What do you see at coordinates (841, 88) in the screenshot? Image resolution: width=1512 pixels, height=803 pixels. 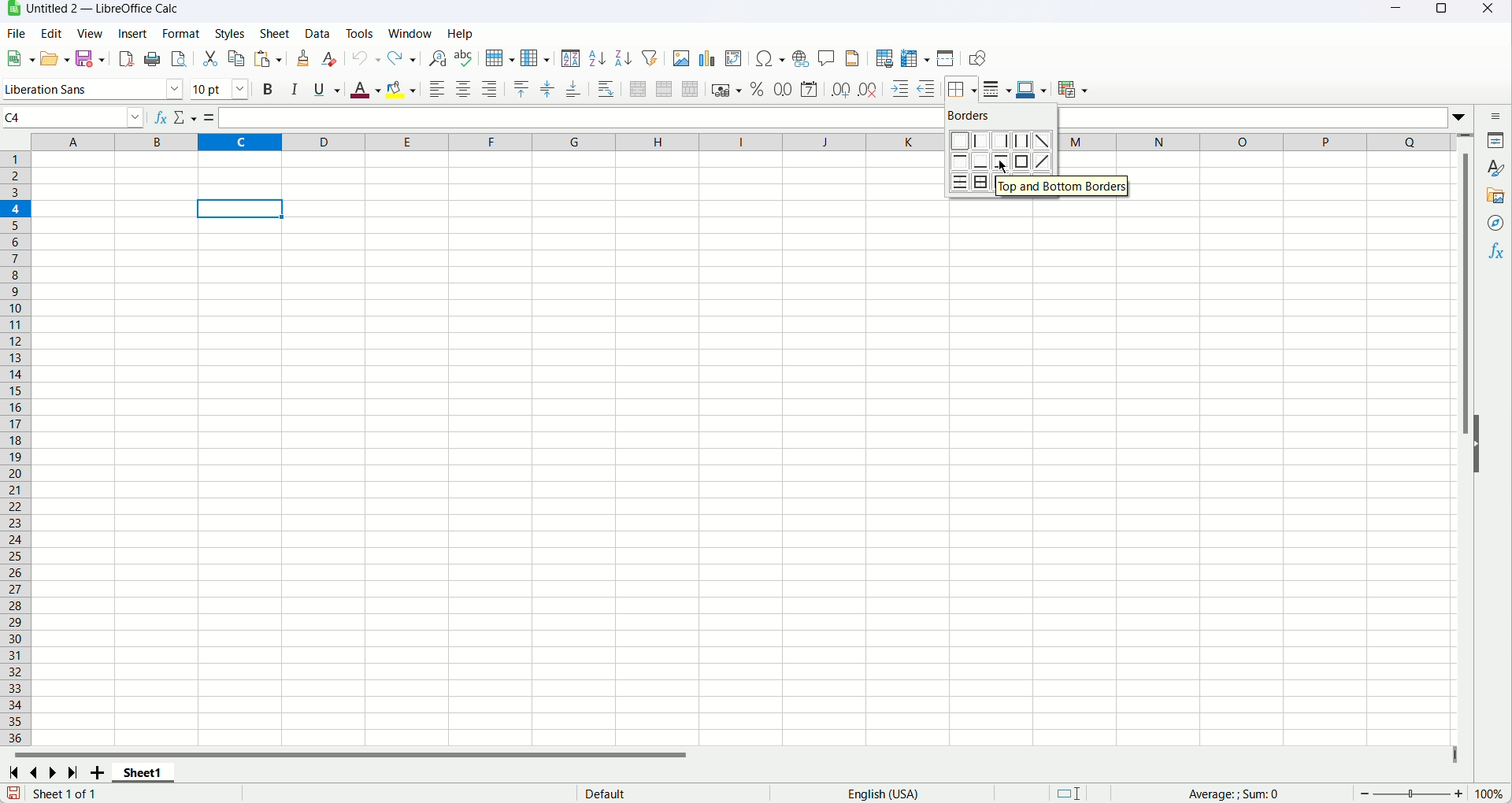 I see `Add decimal` at bounding box center [841, 88].